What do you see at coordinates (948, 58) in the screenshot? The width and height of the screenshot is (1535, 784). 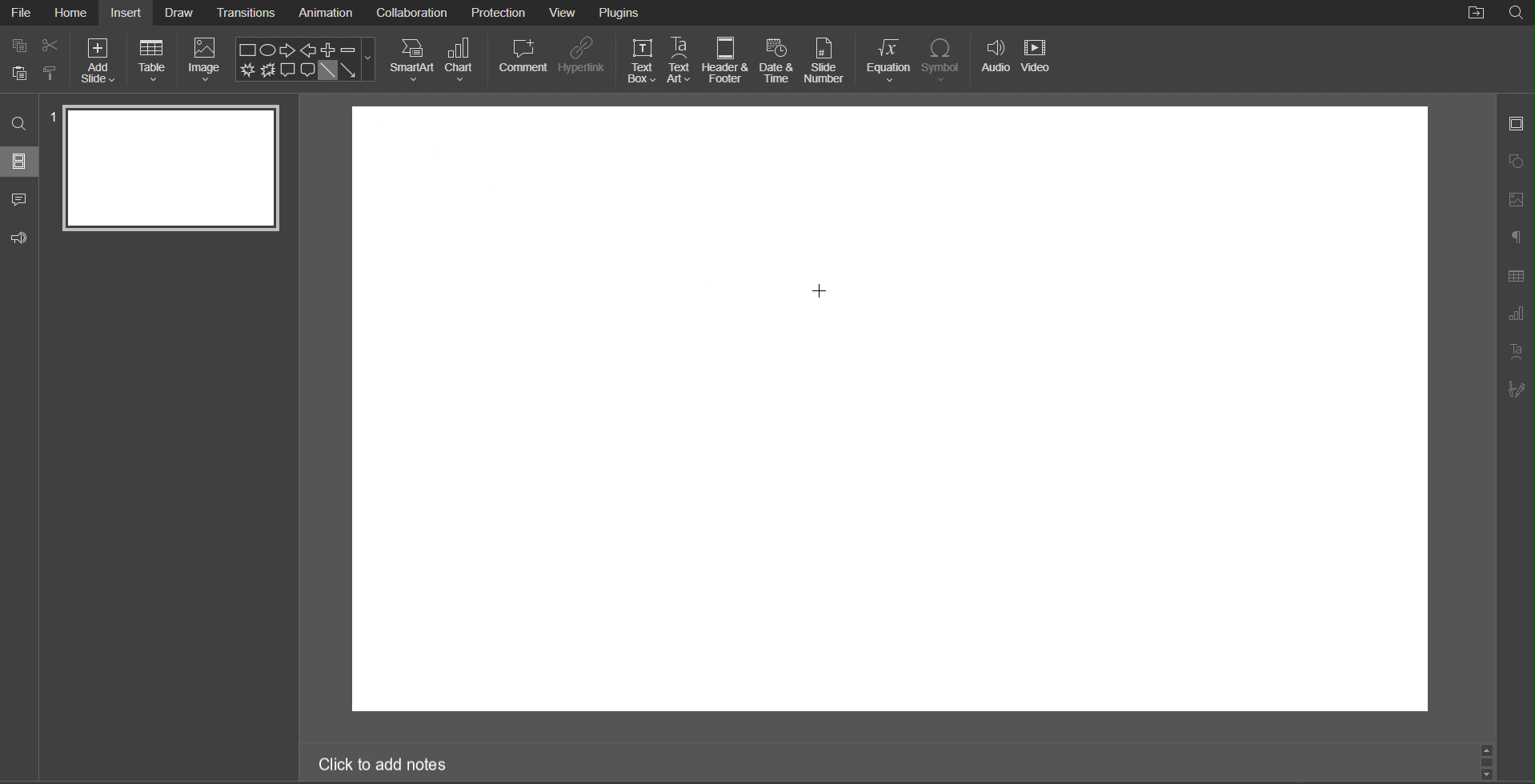 I see `Symbol` at bounding box center [948, 58].